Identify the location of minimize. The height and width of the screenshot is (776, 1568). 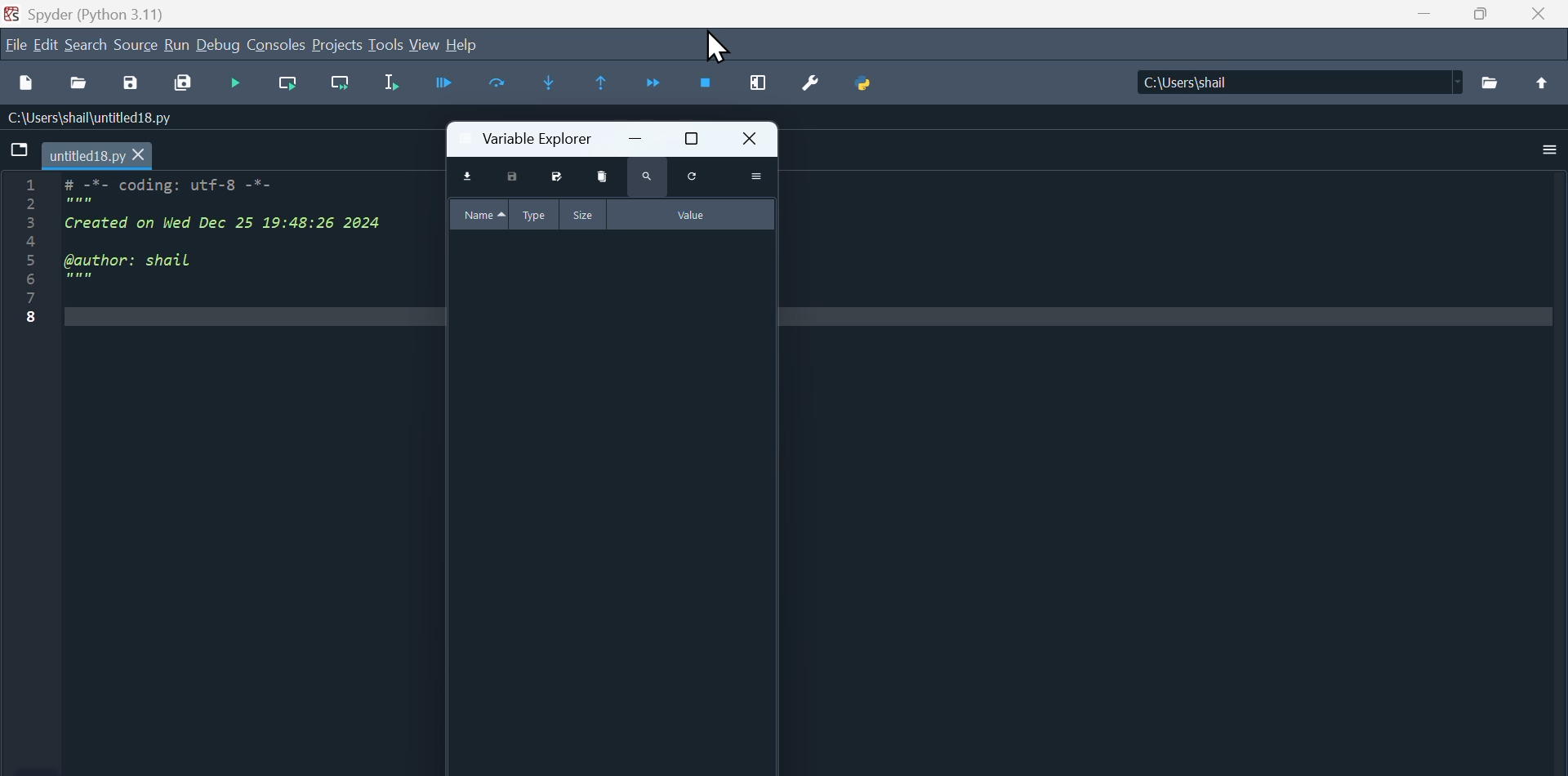
(635, 140).